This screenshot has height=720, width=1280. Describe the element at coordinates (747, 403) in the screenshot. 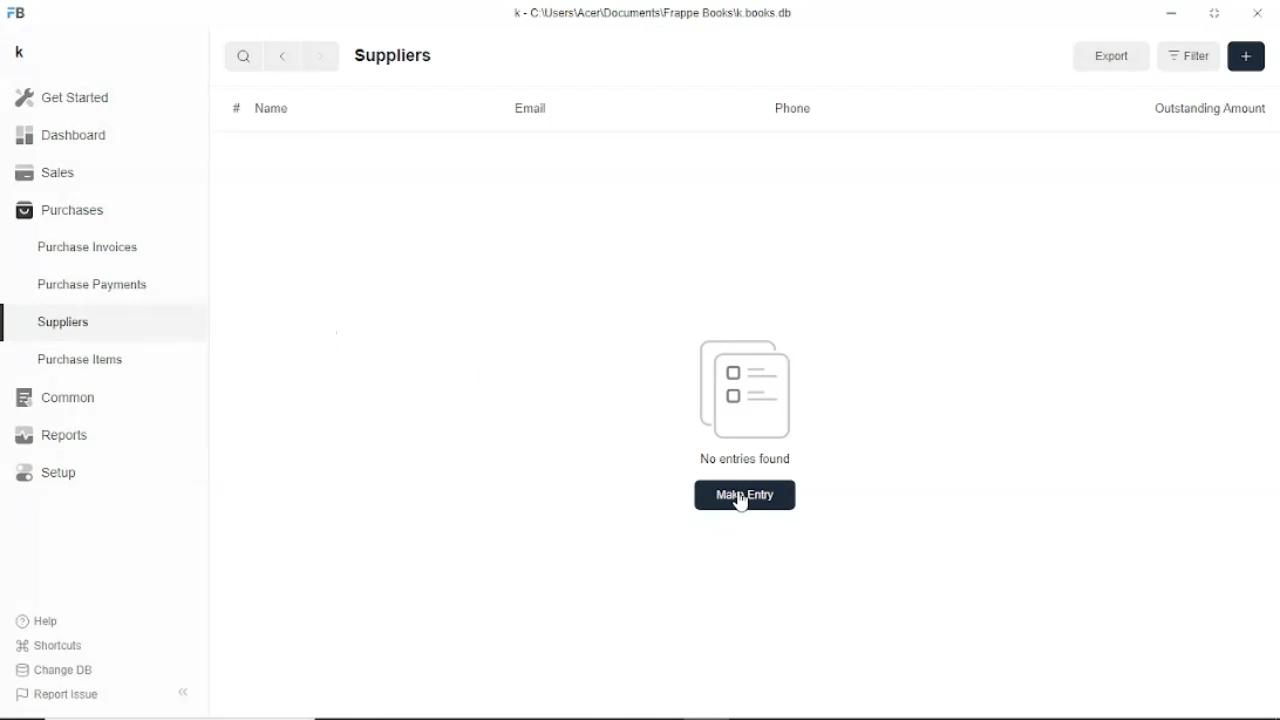

I see `No entries found` at that location.